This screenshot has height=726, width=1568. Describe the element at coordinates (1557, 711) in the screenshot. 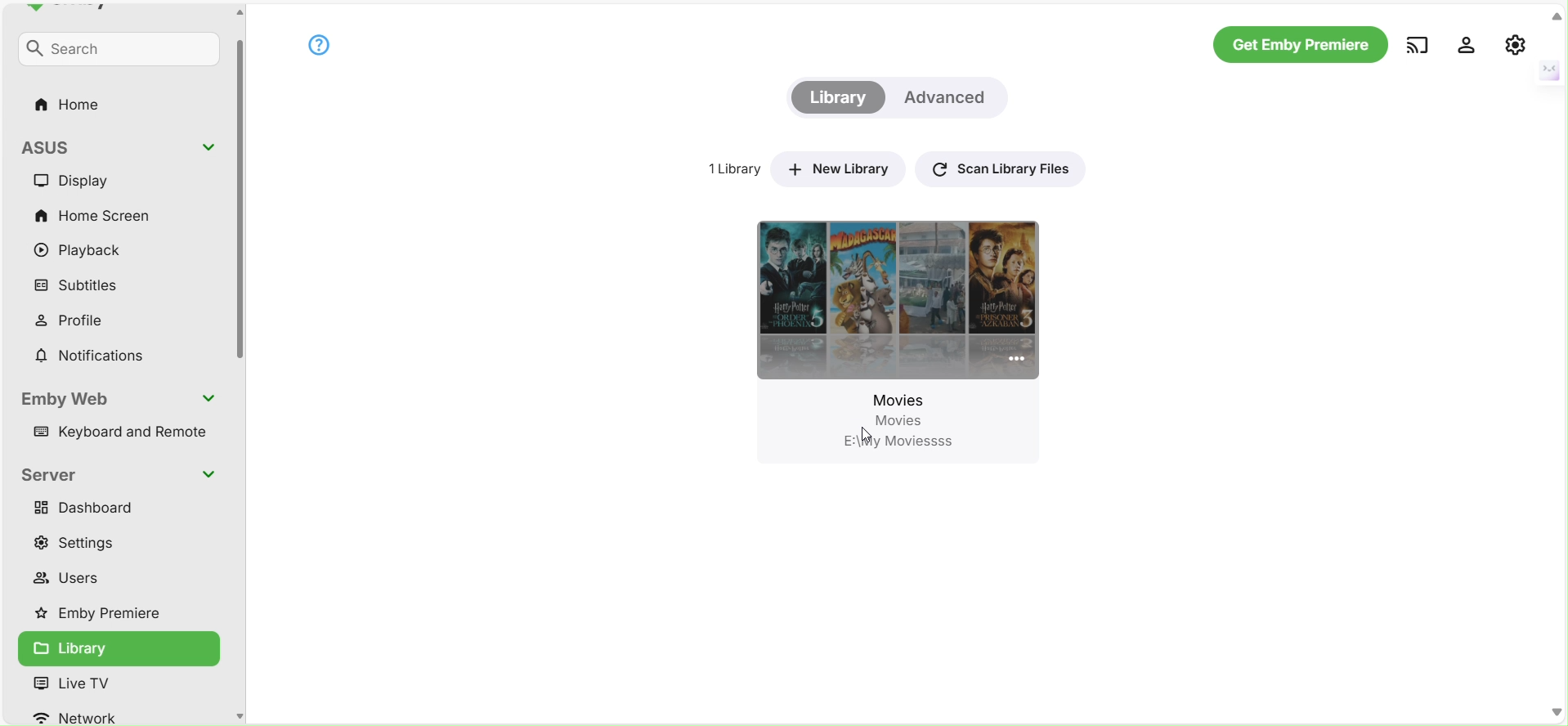

I see `move down` at that location.